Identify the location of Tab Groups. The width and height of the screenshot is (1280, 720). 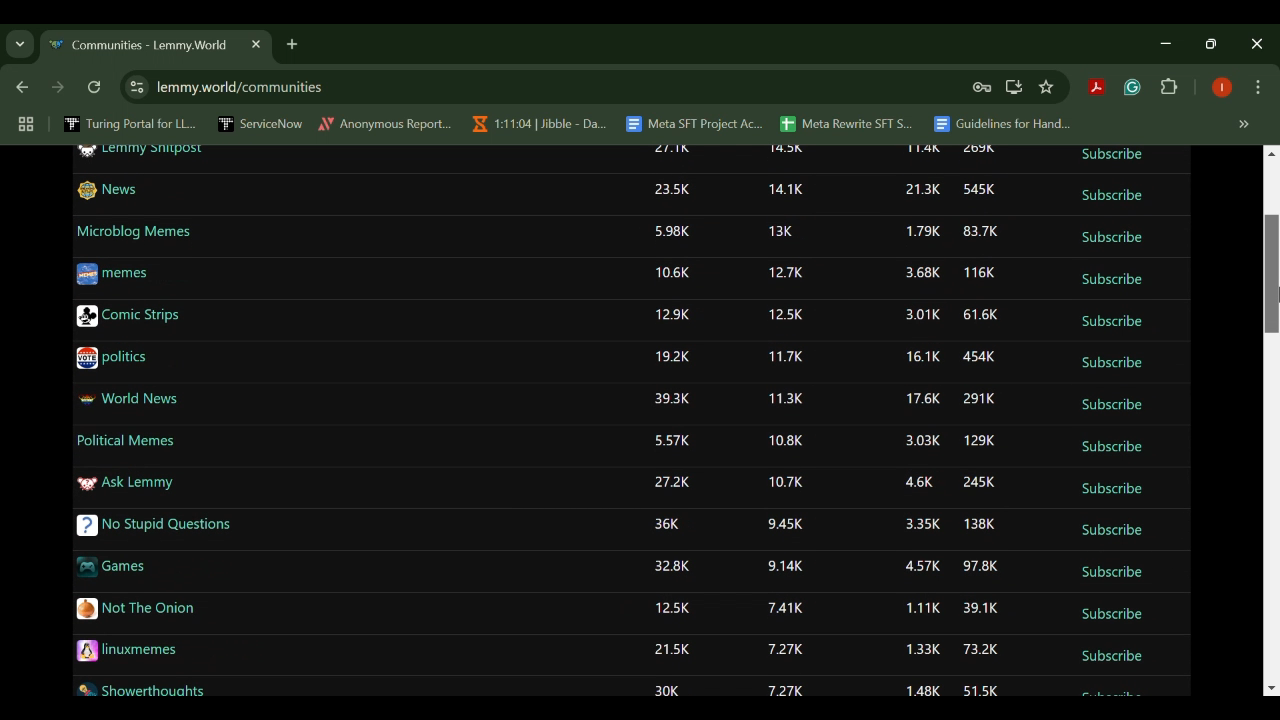
(23, 125).